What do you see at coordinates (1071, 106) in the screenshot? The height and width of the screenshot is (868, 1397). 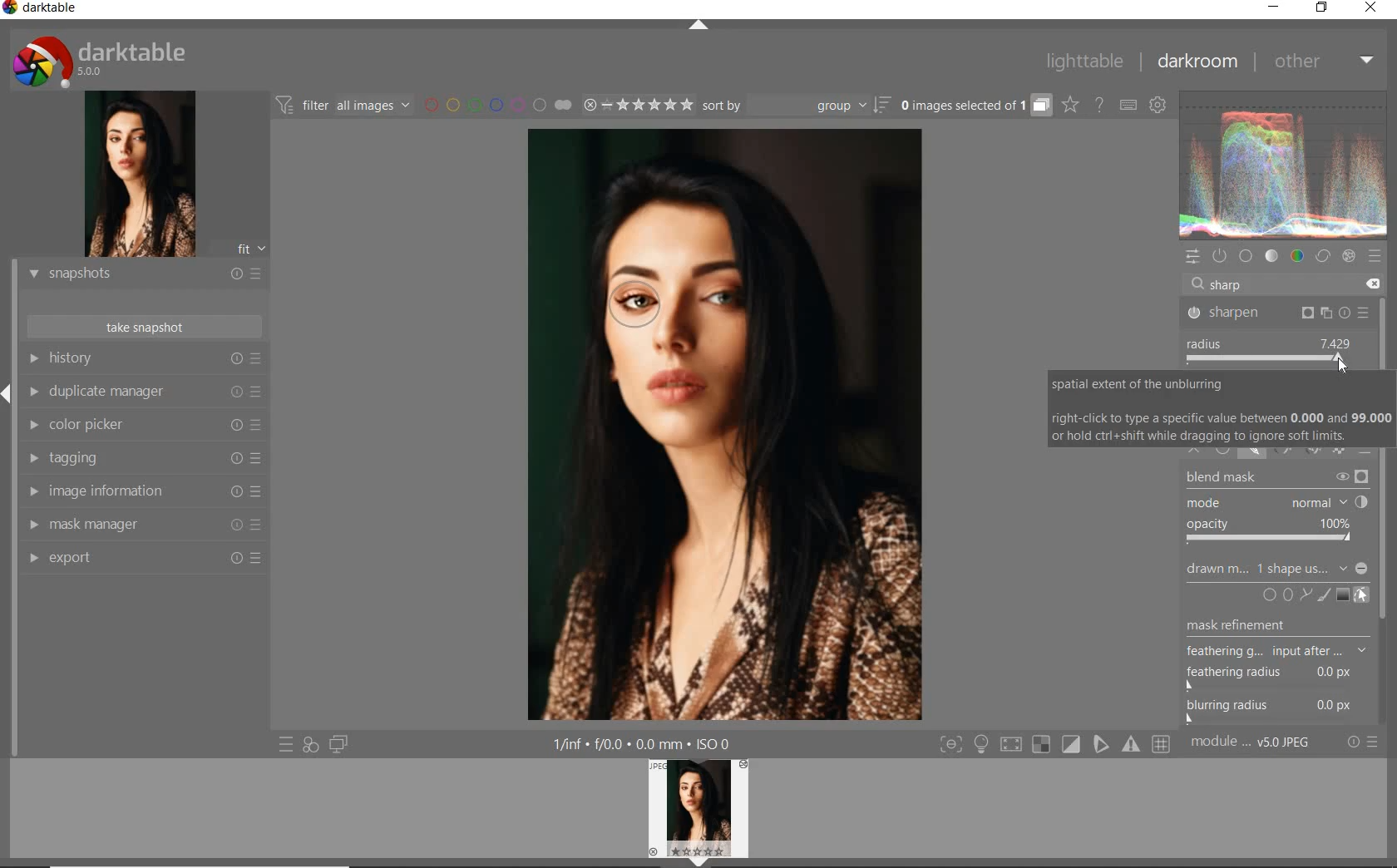 I see `click to change overlays on thumbnails` at bounding box center [1071, 106].